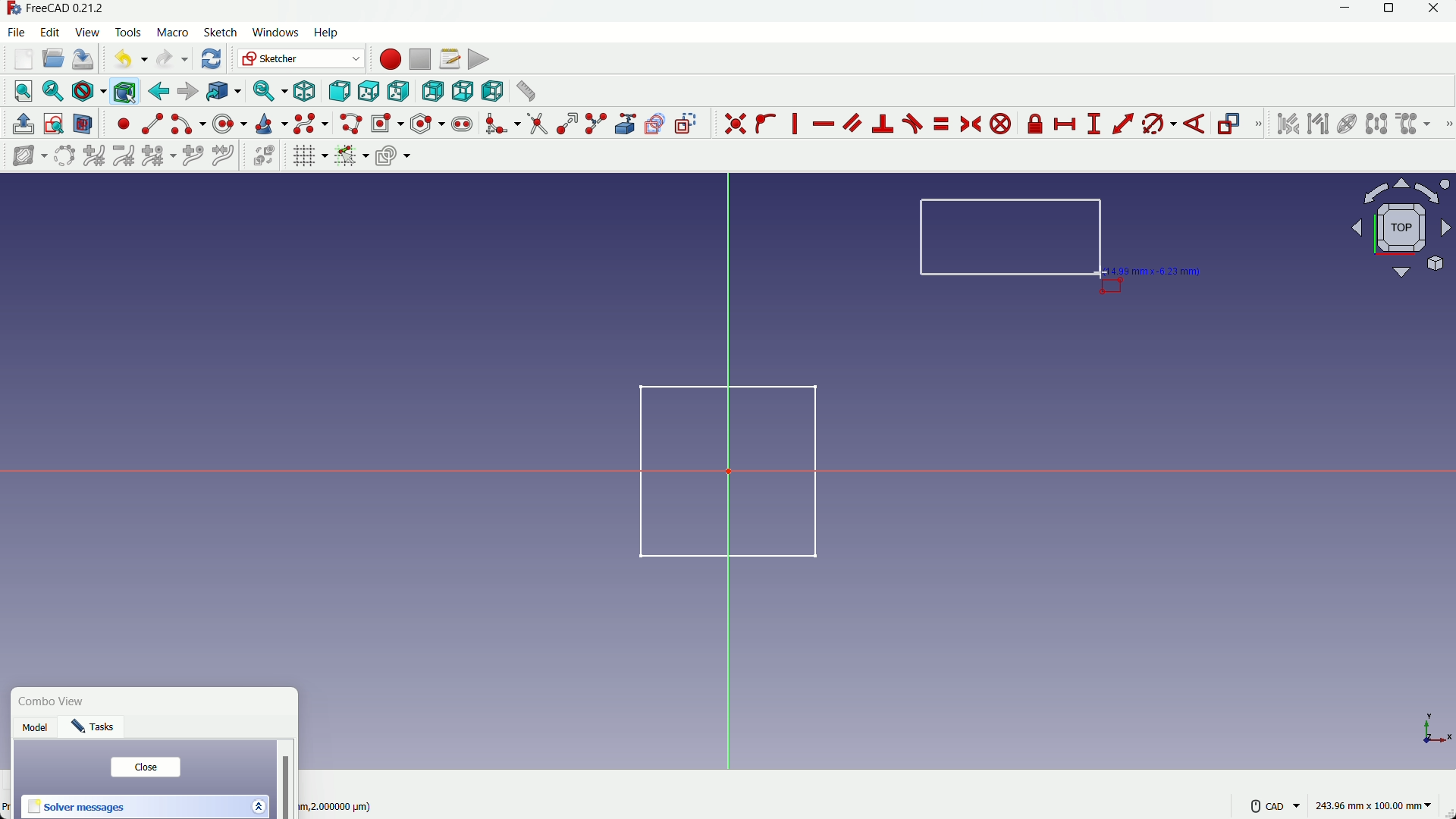 The image size is (1456, 819). Describe the element at coordinates (368, 93) in the screenshot. I see `top view` at that location.